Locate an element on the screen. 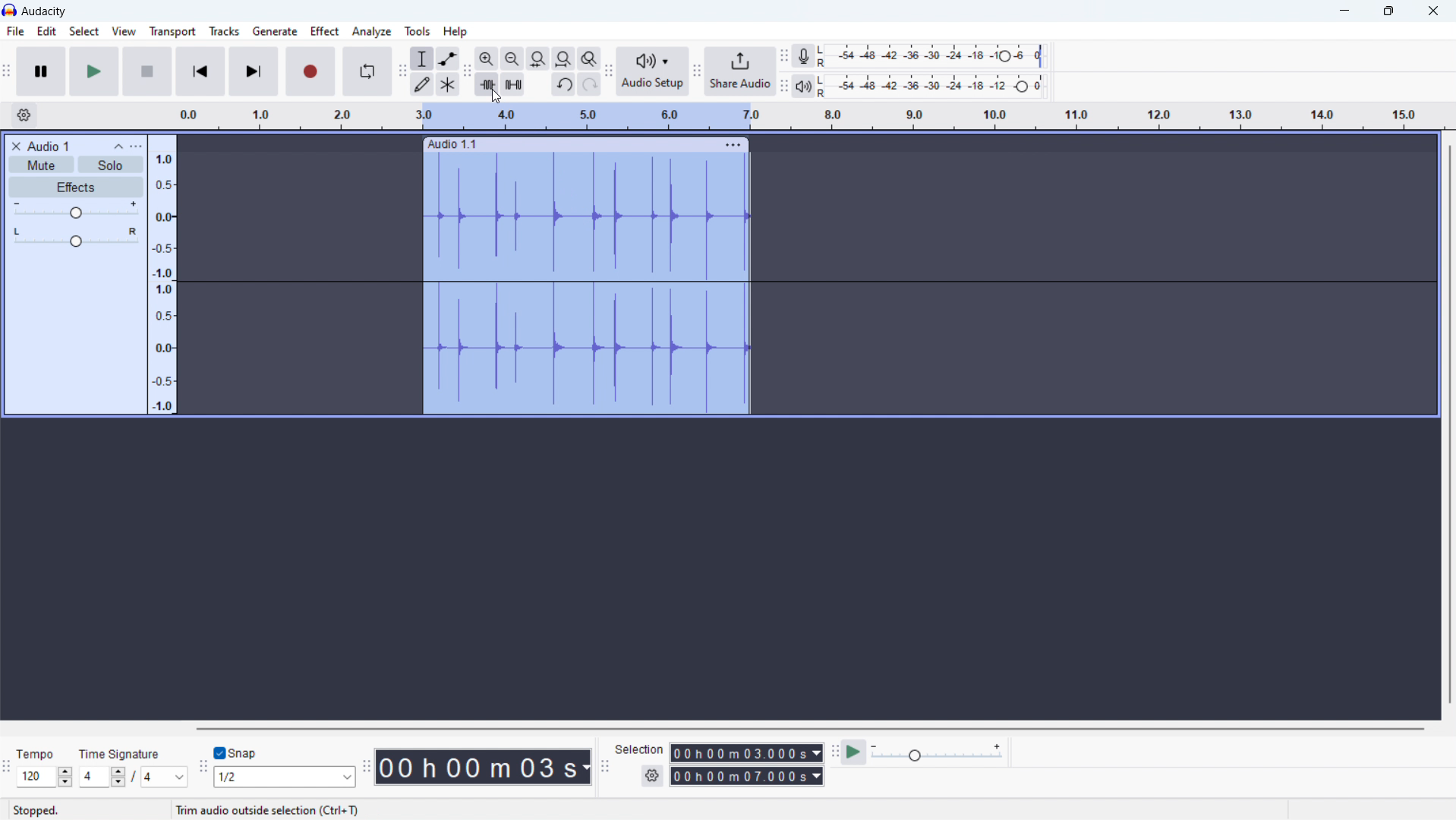 The height and width of the screenshot is (820, 1456). share audio toolbar is located at coordinates (697, 71).